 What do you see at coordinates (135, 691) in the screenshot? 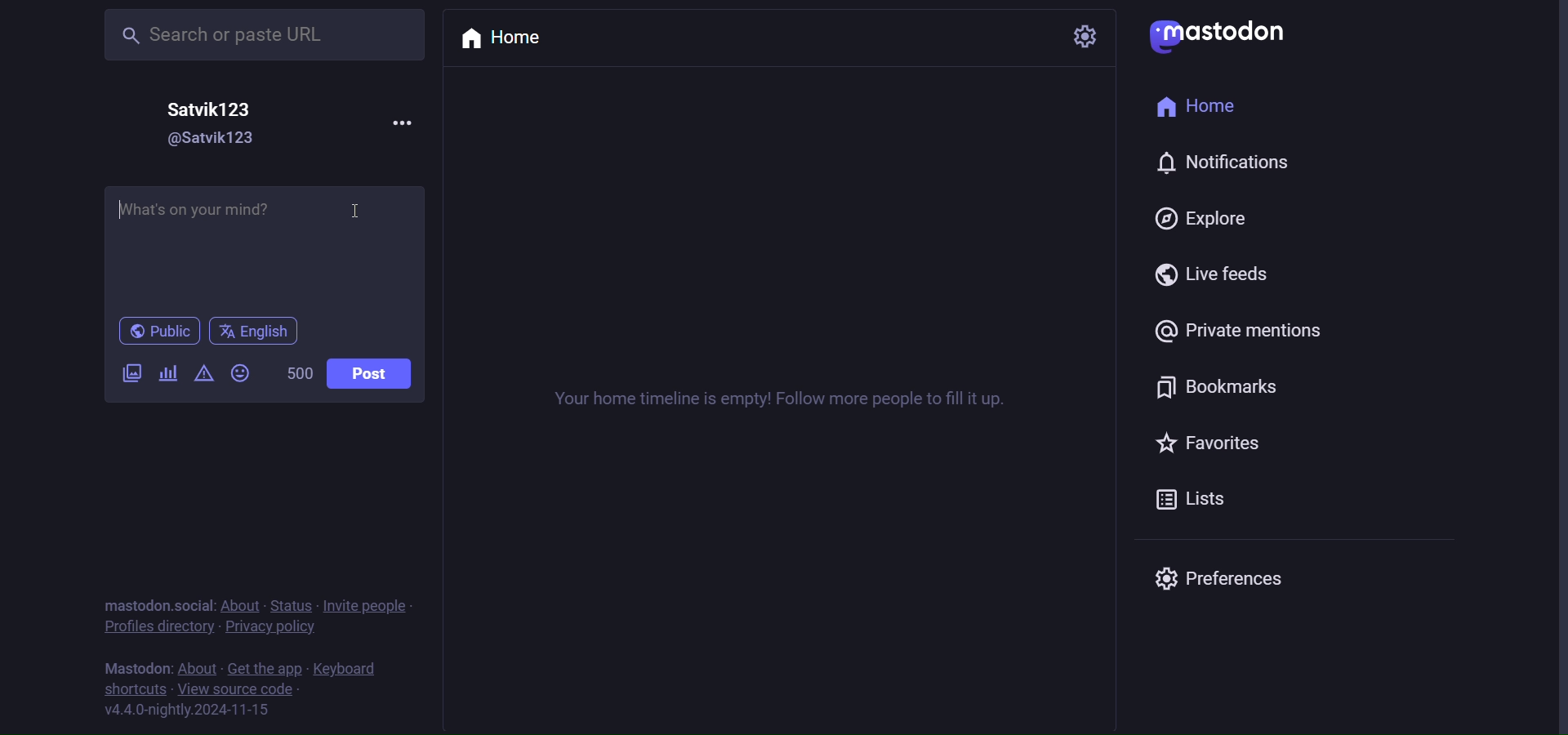
I see `shortcut` at bounding box center [135, 691].